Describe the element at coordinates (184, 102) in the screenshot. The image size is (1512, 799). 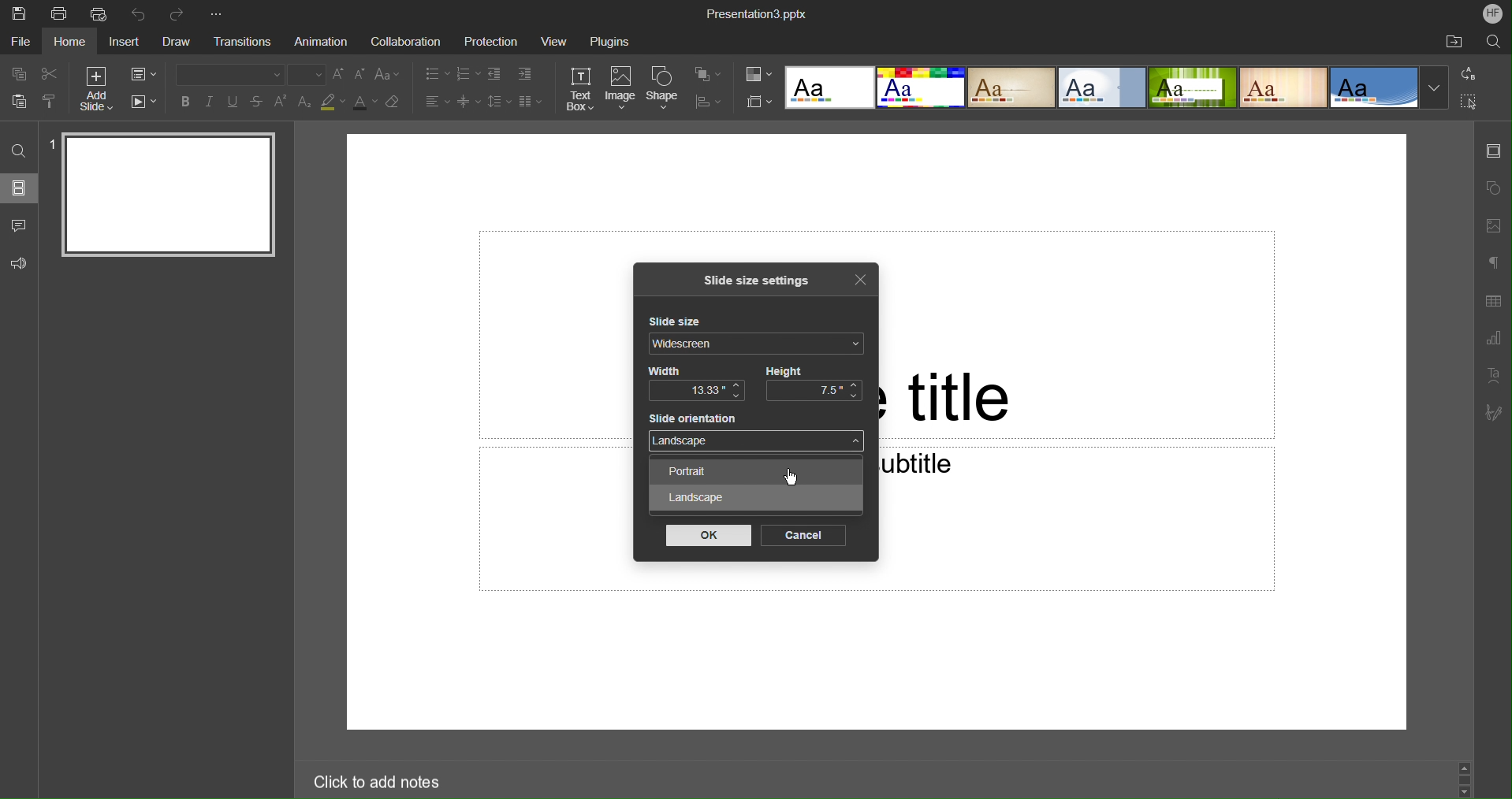
I see `Bold` at that location.